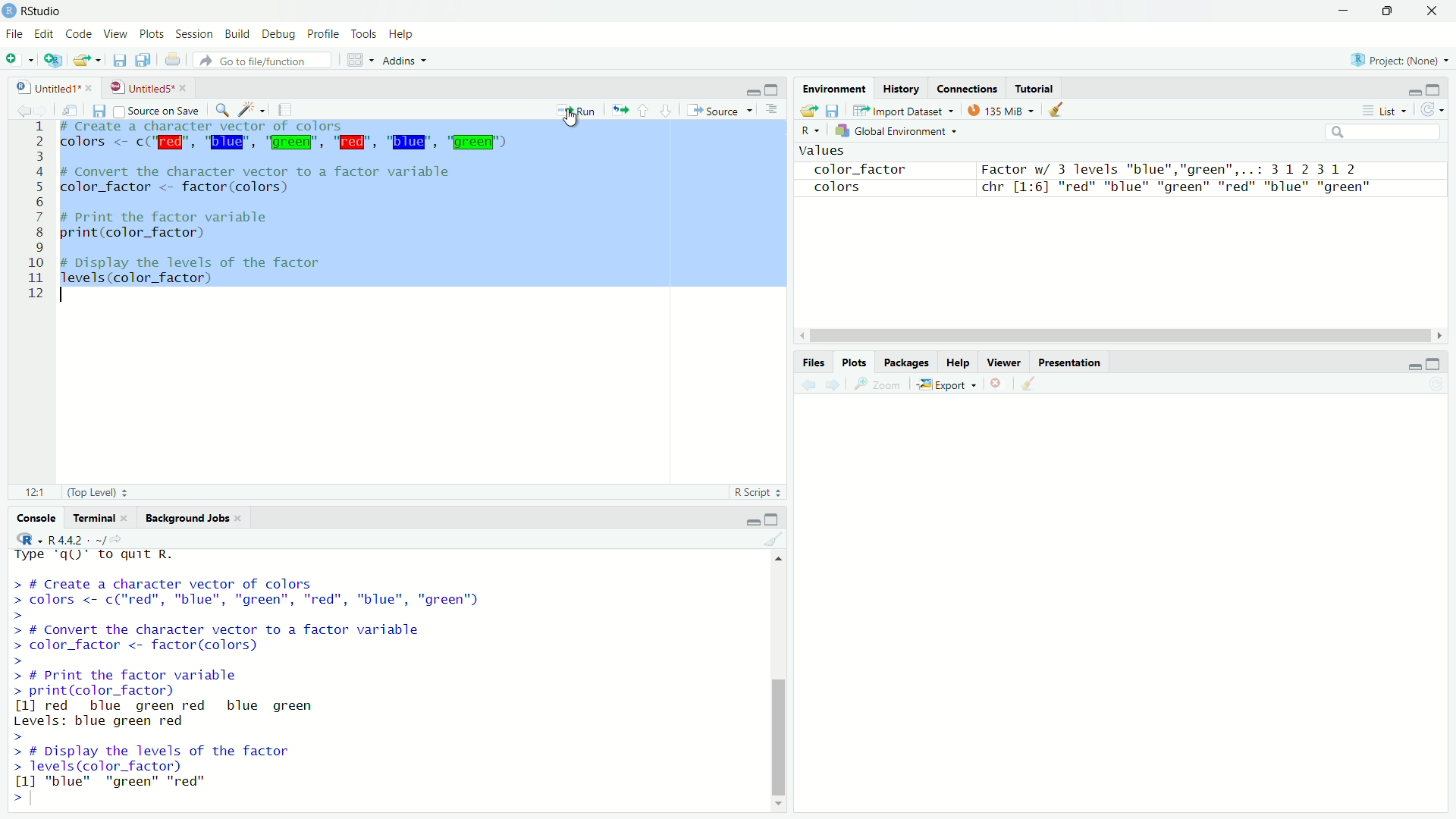  Describe the element at coordinates (99, 111) in the screenshot. I see `save current document` at that location.